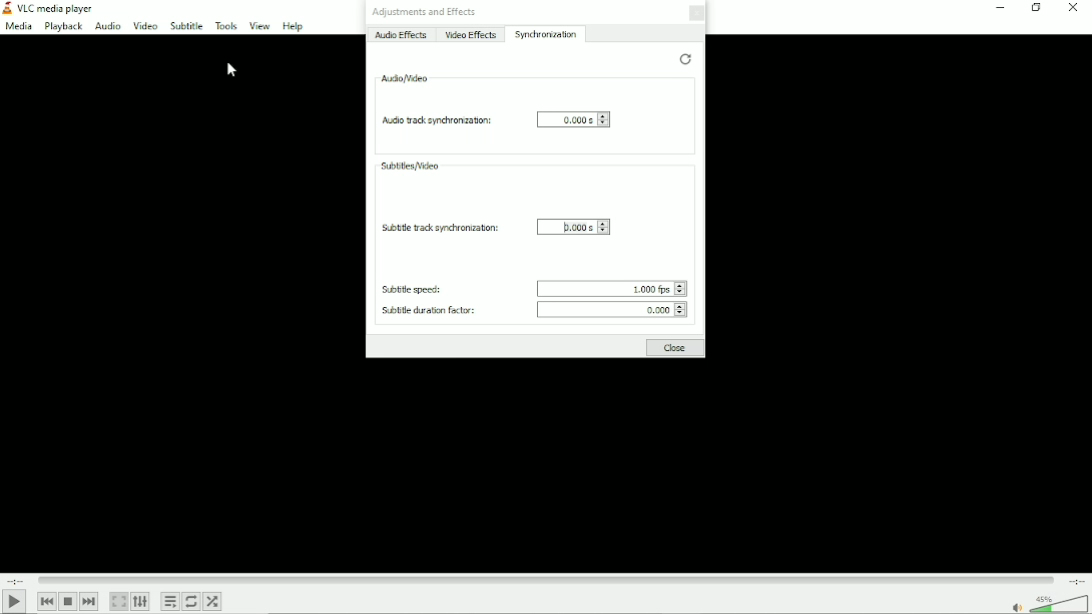  Describe the element at coordinates (143, 25) in the screenshot. I see `Video` at that location.